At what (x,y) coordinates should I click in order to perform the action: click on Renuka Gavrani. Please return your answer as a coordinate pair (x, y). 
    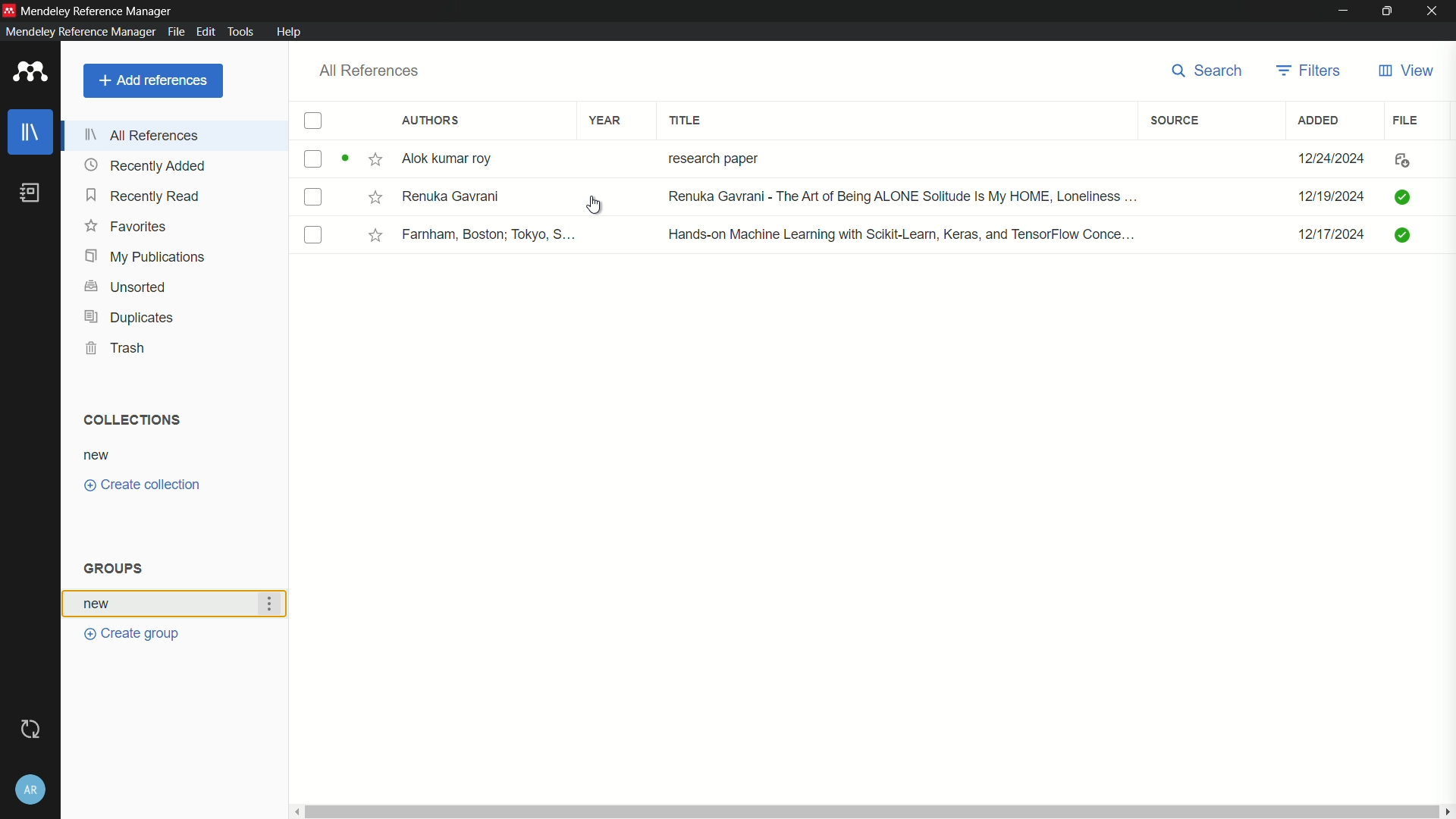
    Looking at the image, I should click on (451, 196).